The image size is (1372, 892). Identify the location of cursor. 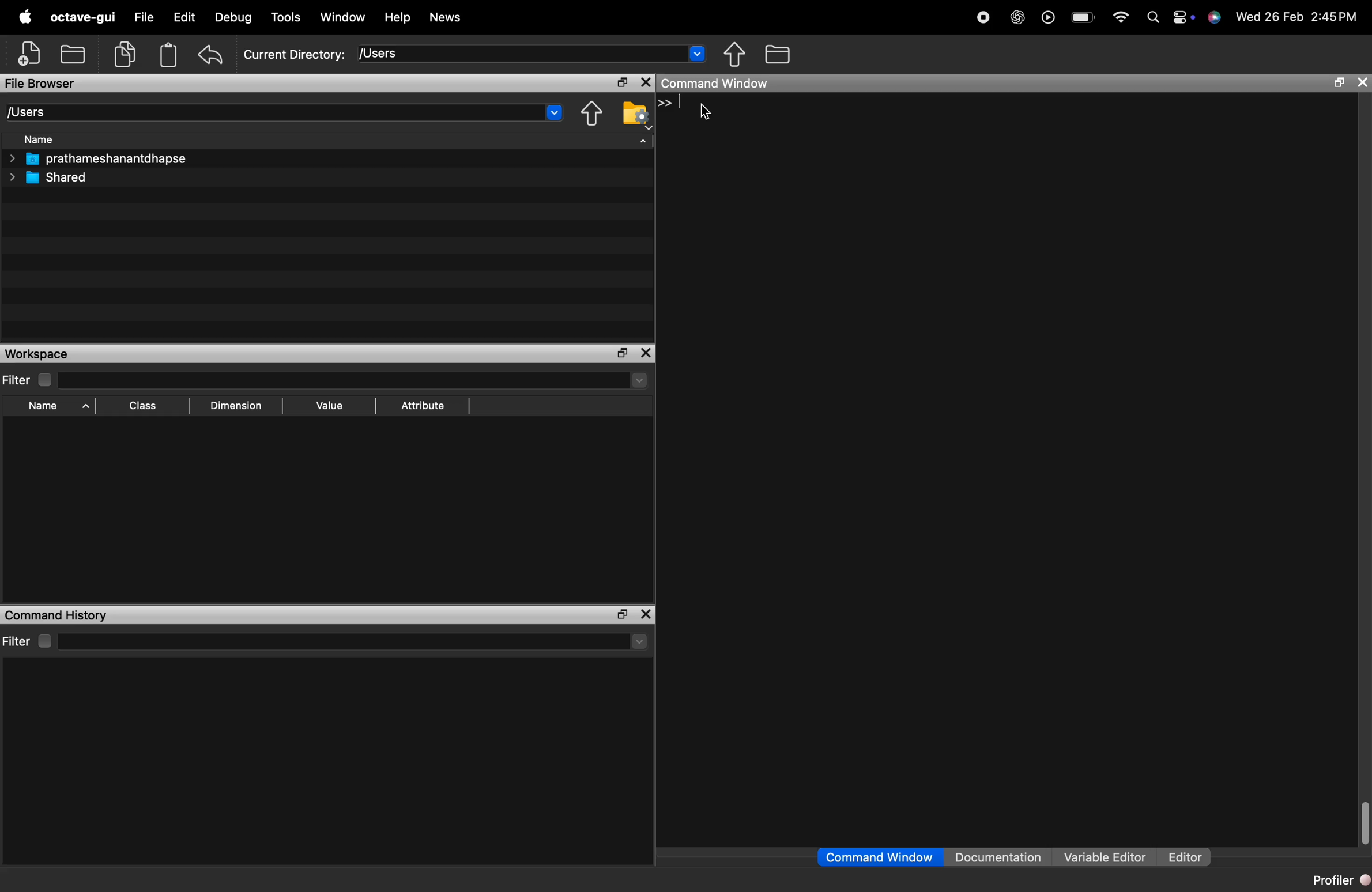
(703, 115).